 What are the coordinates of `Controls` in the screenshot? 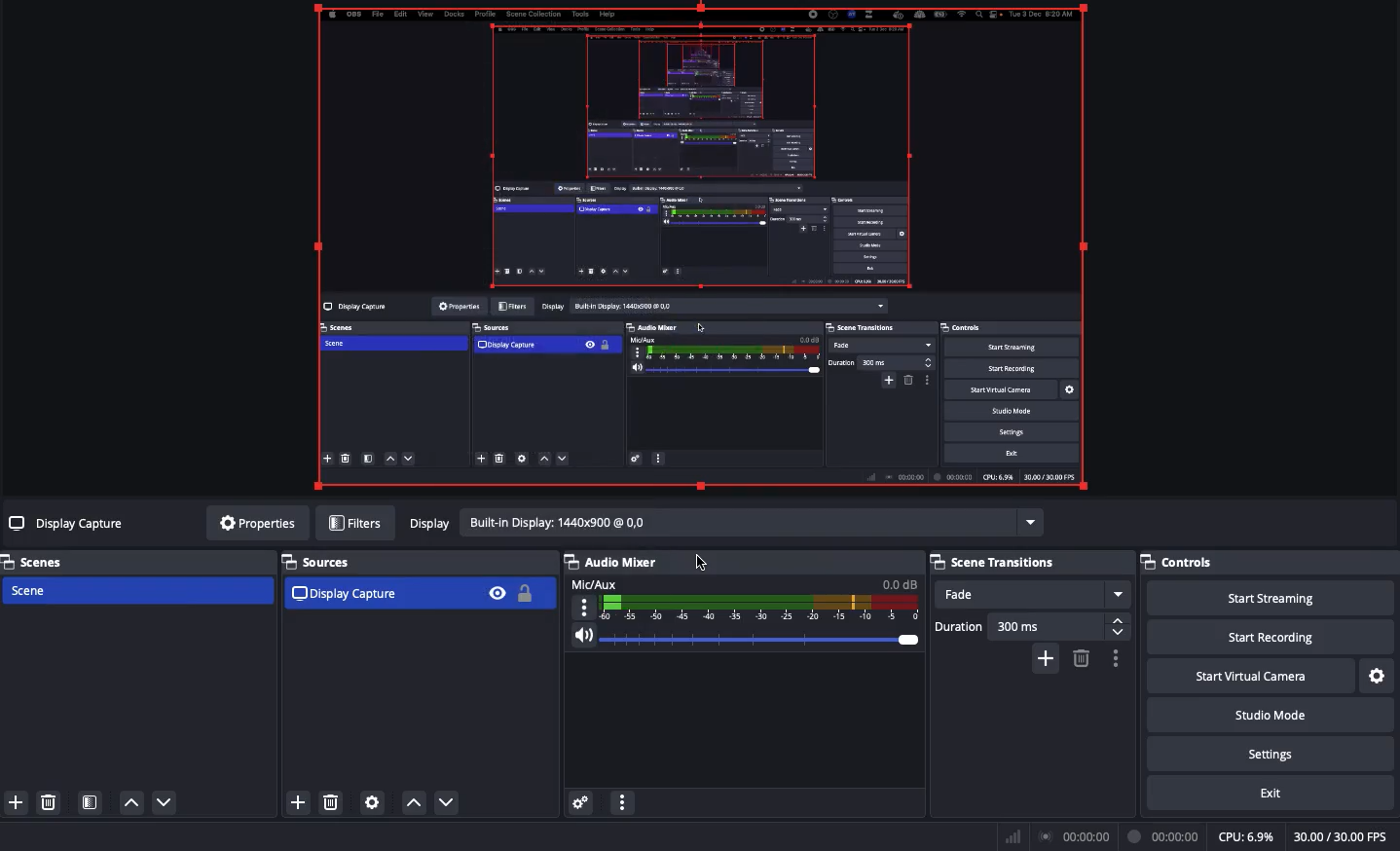 It's located at (1181, 559).